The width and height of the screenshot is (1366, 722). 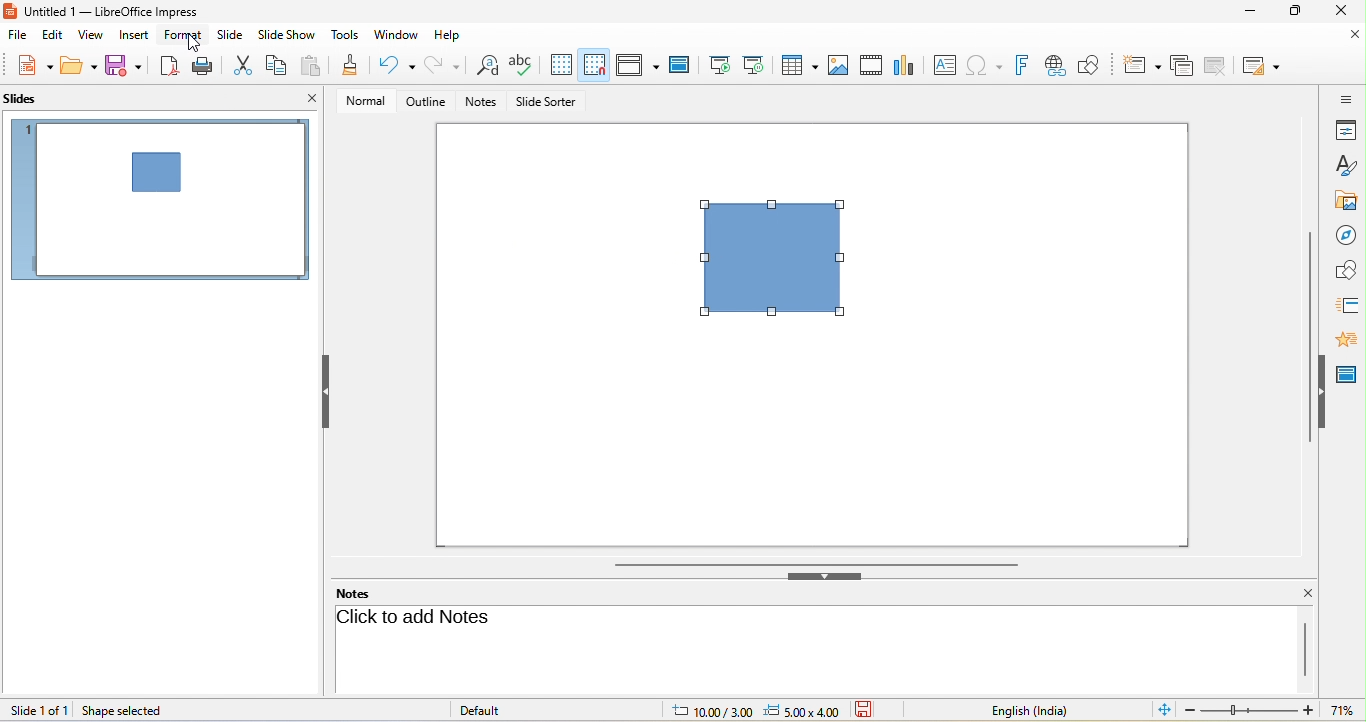 What do you see at coordinates (706, 712) in the screenshot?
I see `10.00/3.00` at bounding box center [706, 712].